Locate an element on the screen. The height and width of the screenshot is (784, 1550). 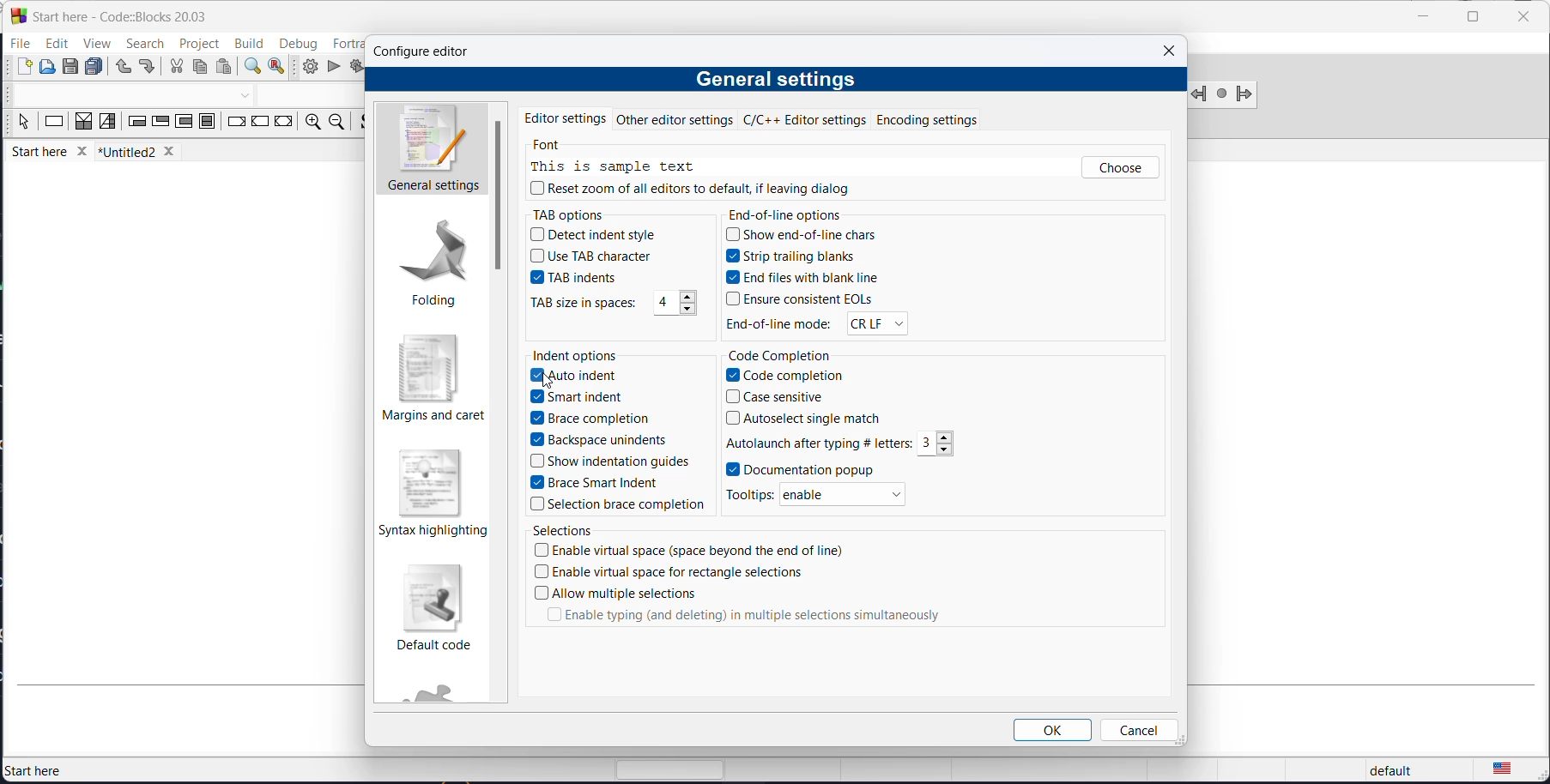
other editing settings is located at coordinates (675, 120).